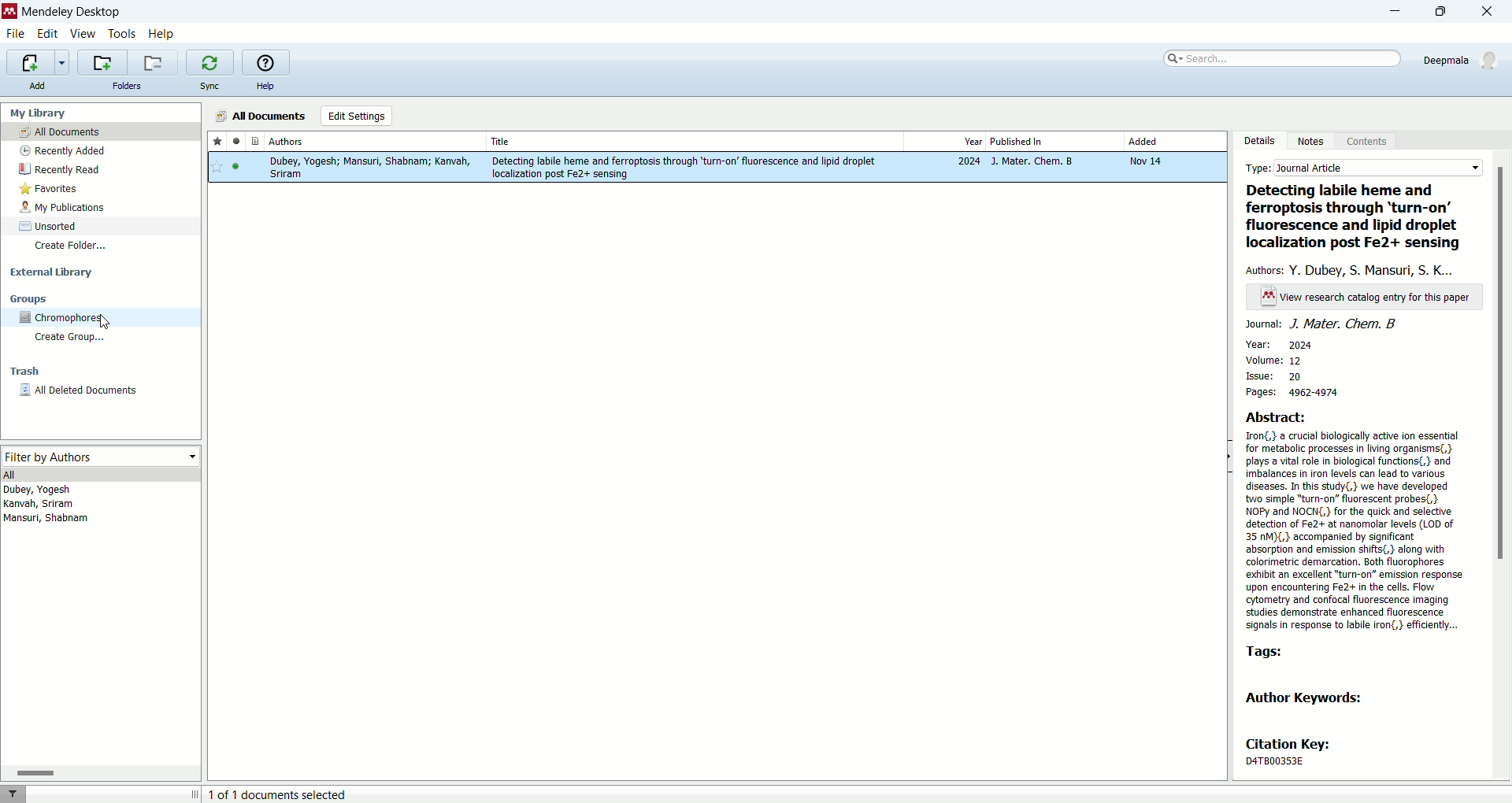  Describe the element at coordinates (38, 63) in the screenshot. I see `import` at that location.